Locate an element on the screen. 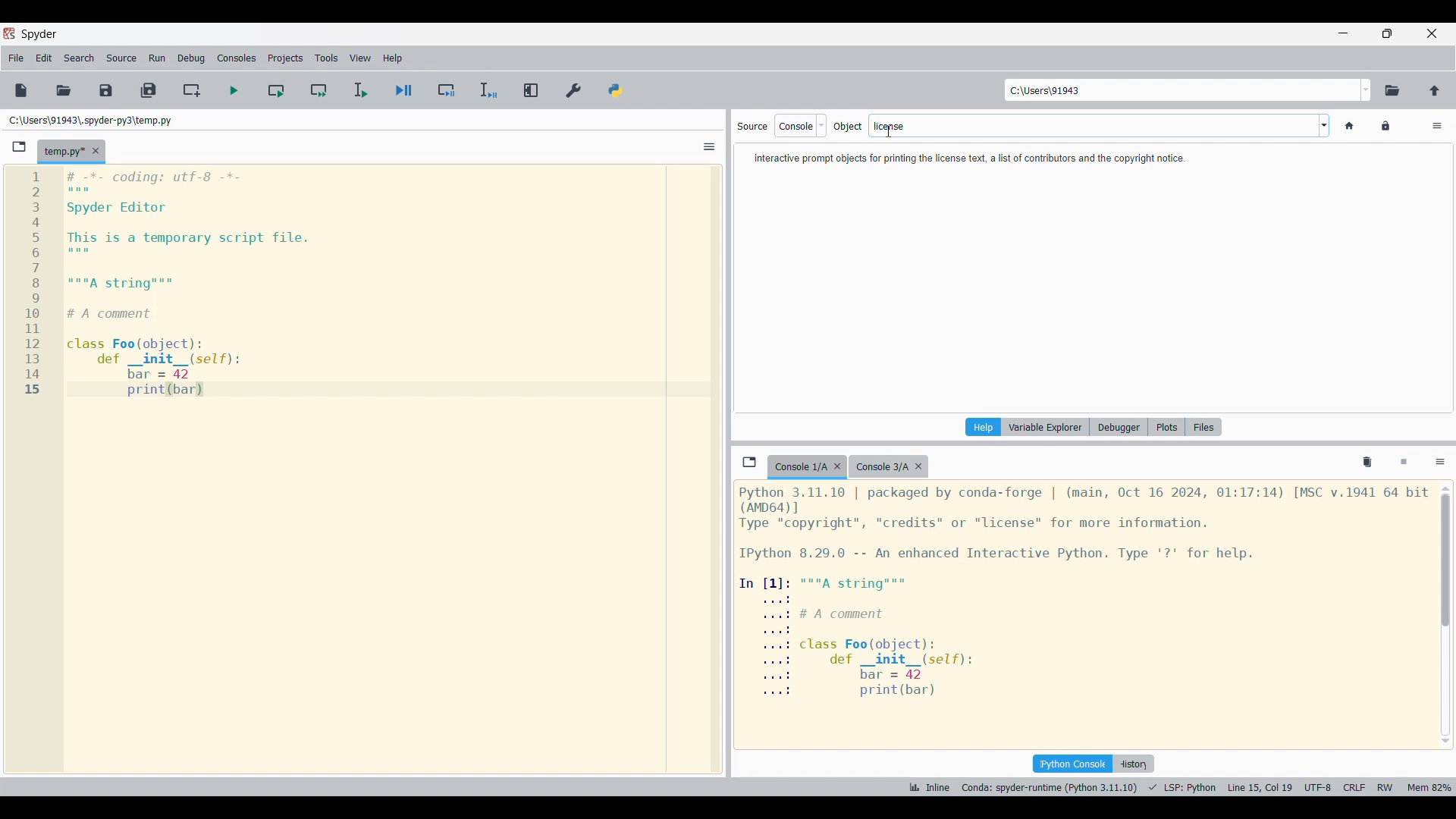 The image size is (1456, 819). Run menu is located at coordinates (158, 58).